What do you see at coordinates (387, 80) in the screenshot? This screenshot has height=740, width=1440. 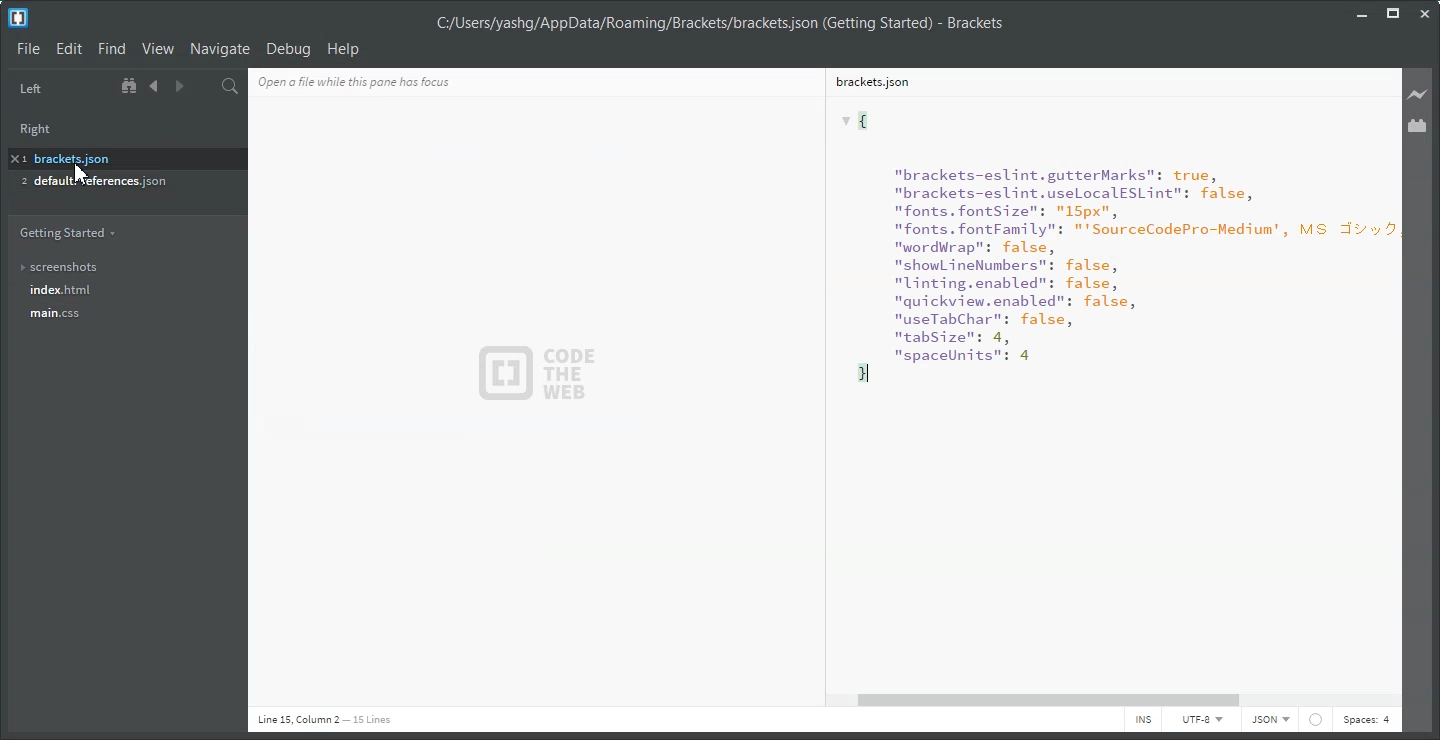 I see `Text` at bounding box center [387, 80].